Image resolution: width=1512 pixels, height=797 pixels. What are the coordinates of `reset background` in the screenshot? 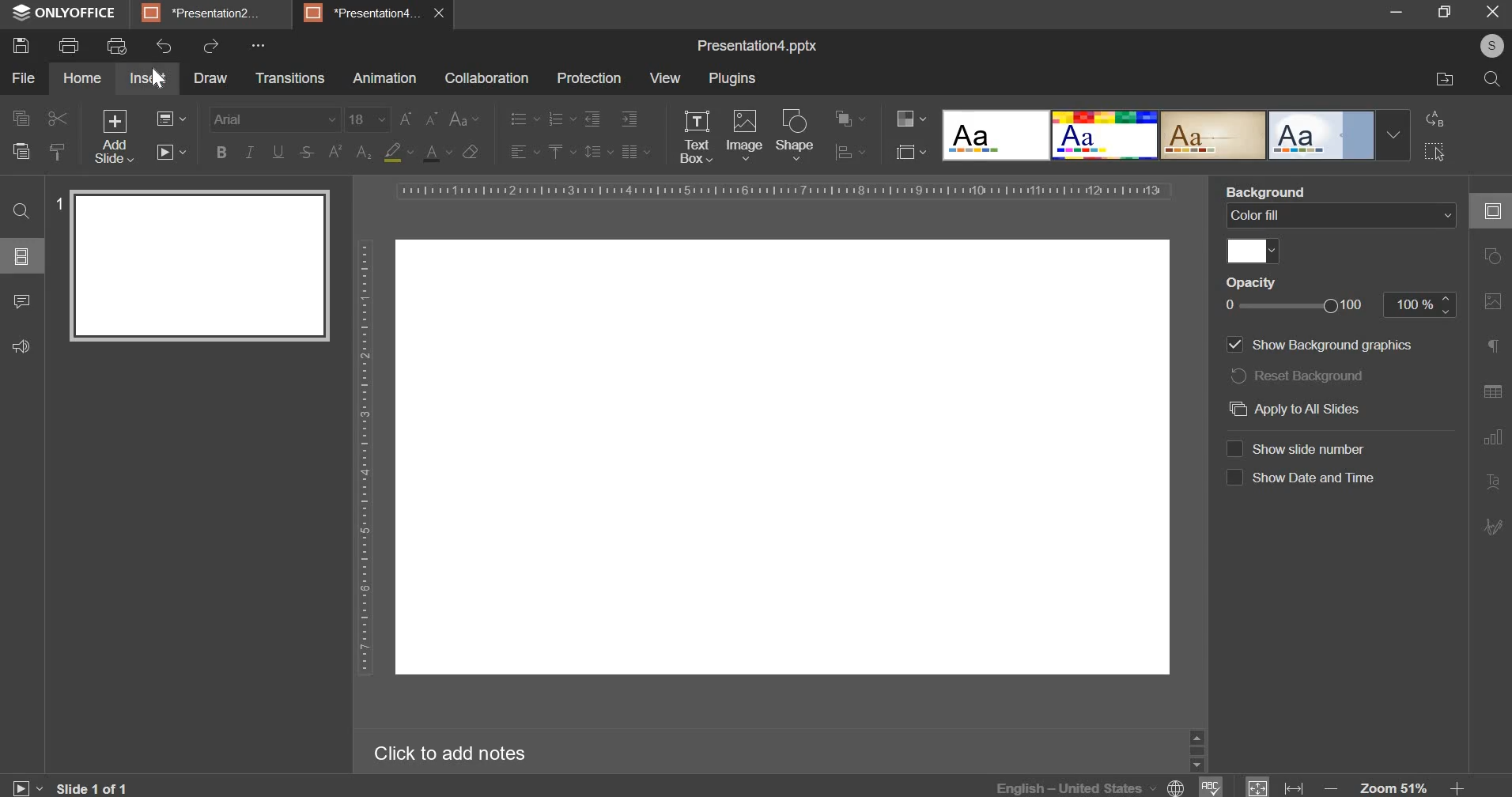 It's located at (1297, 375).